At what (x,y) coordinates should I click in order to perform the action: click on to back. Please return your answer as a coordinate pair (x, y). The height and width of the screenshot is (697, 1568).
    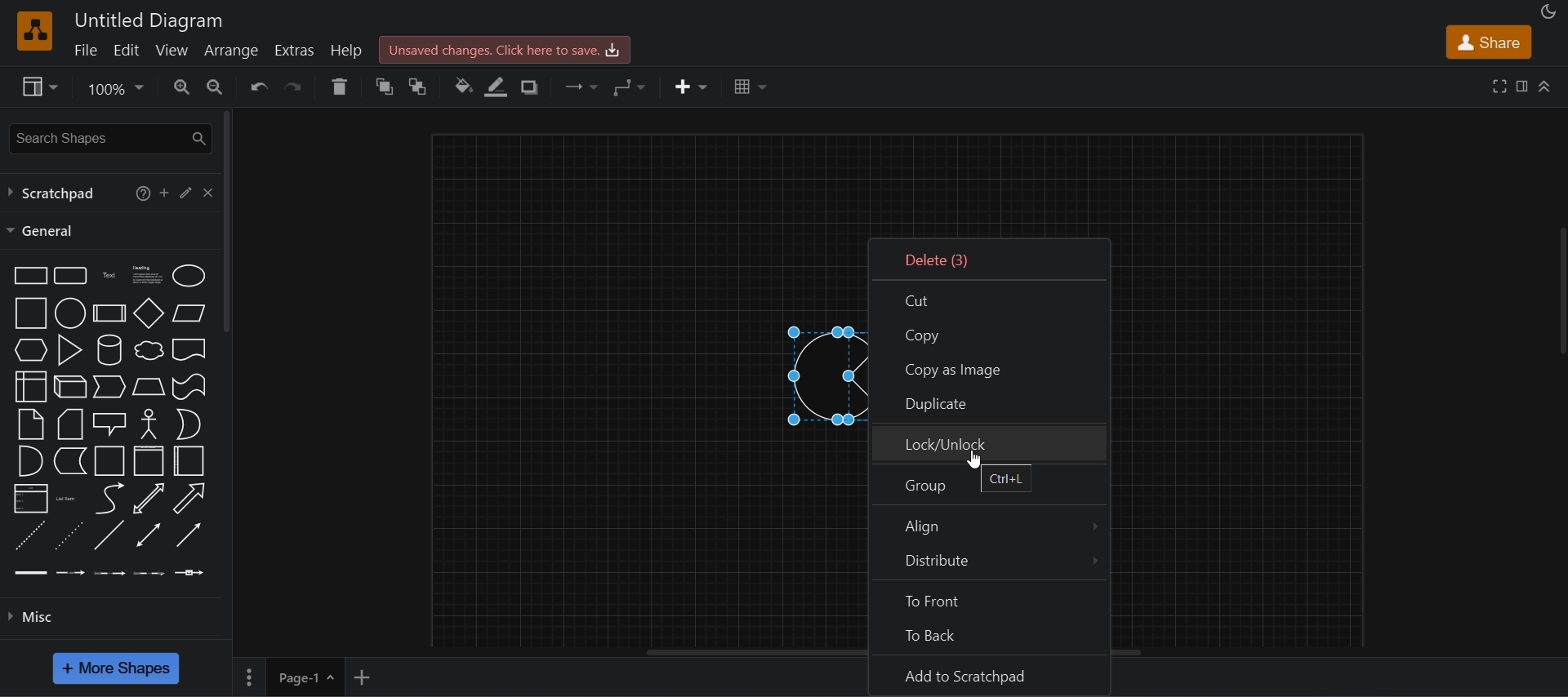
    Looking at the image, I should click on (419, 87).